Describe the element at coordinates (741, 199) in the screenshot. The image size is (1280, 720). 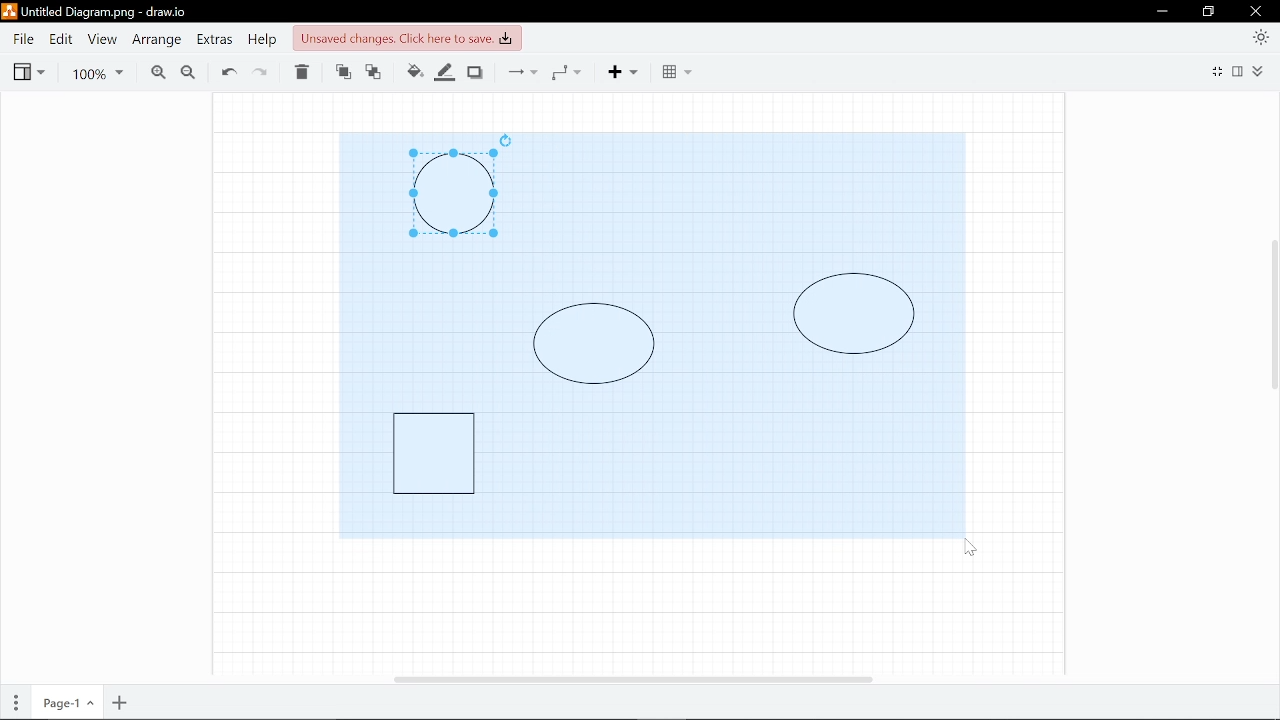
I see `Highlighted area represents portion selected by cursor` at that location.